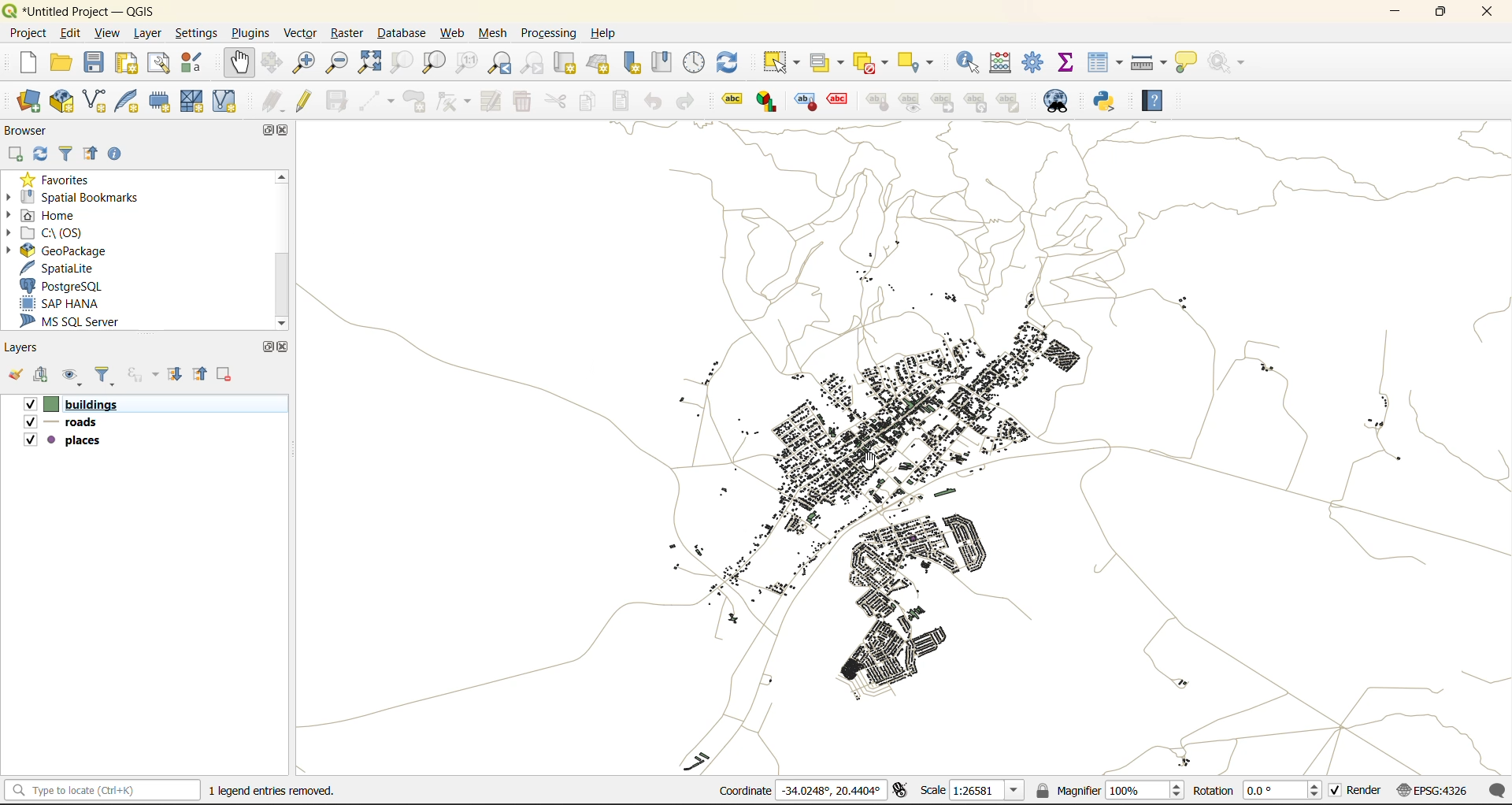 This screenshot has width=1512, height=805. I want to click on no action, so click(1225, 63).